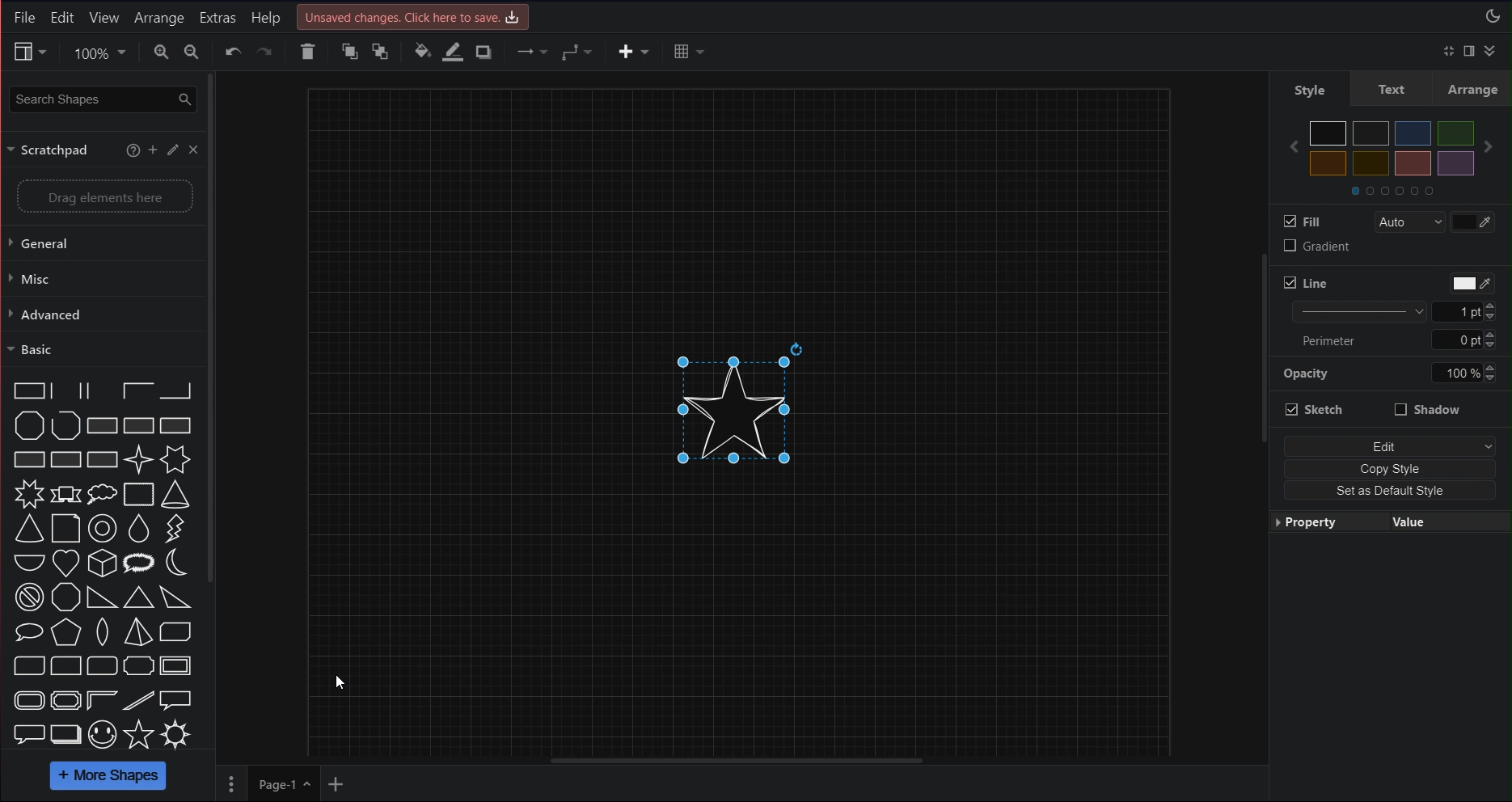 The width and height of the screenshot is (1512, 802). Describe the element at coordinates (175, 563) in the screenshot. I see `moon` at that location.